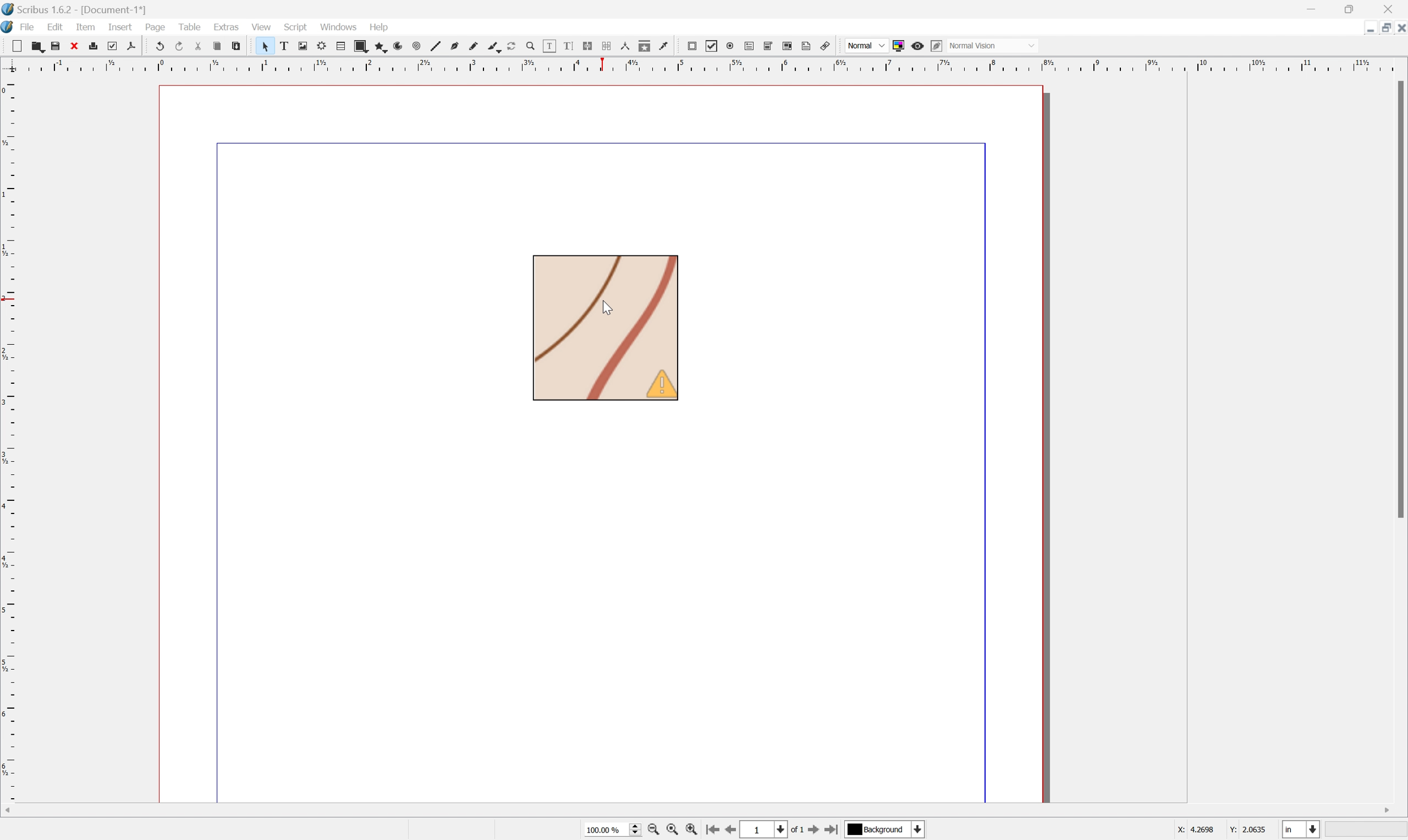 The height and width of the screenshot is (840, 1408). I want to click on PDF radio button, so click(731, 45).